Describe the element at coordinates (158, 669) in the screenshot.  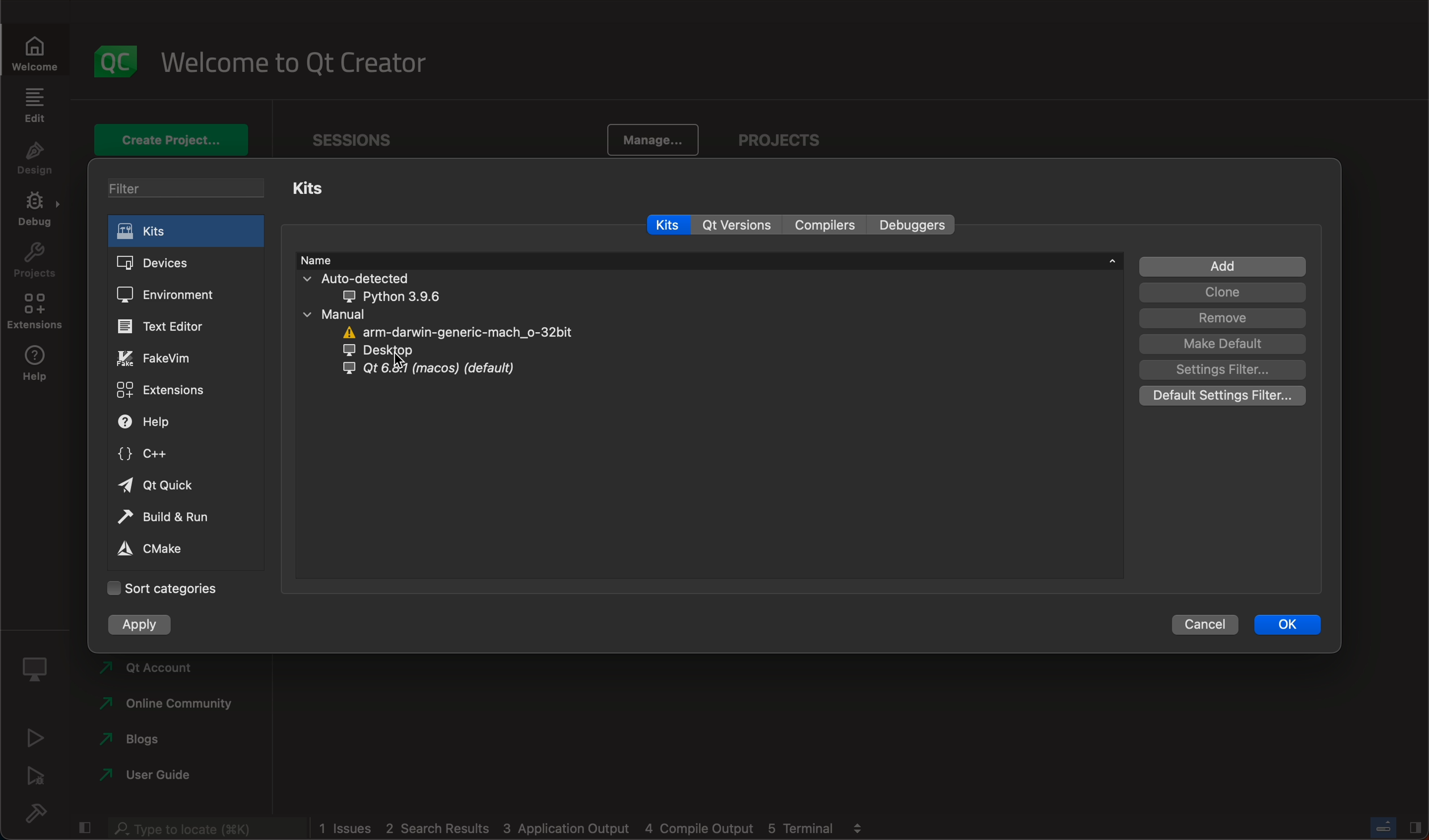
I see `qt account` at that location.